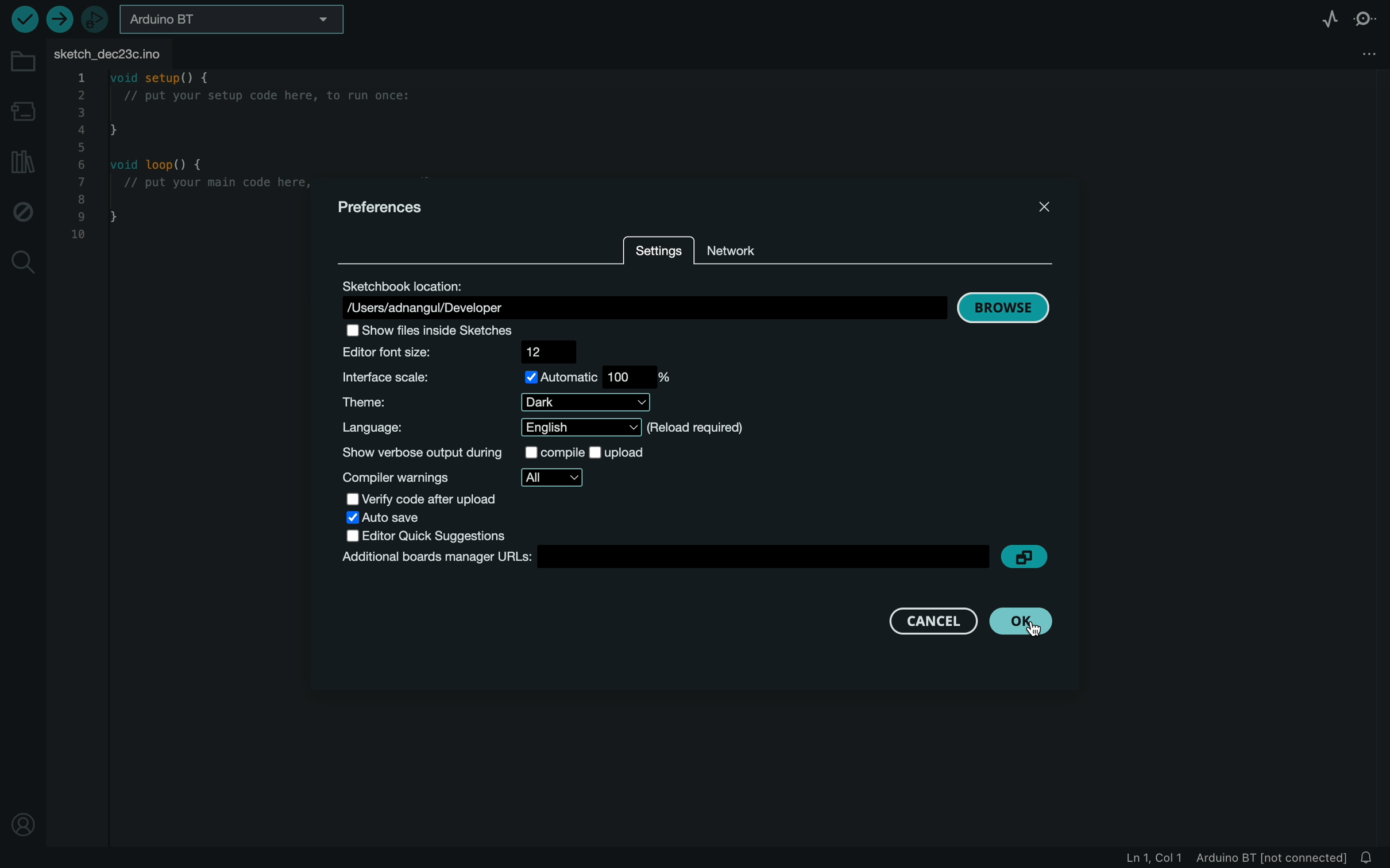  I want to click on browse, so click(1006, 308).